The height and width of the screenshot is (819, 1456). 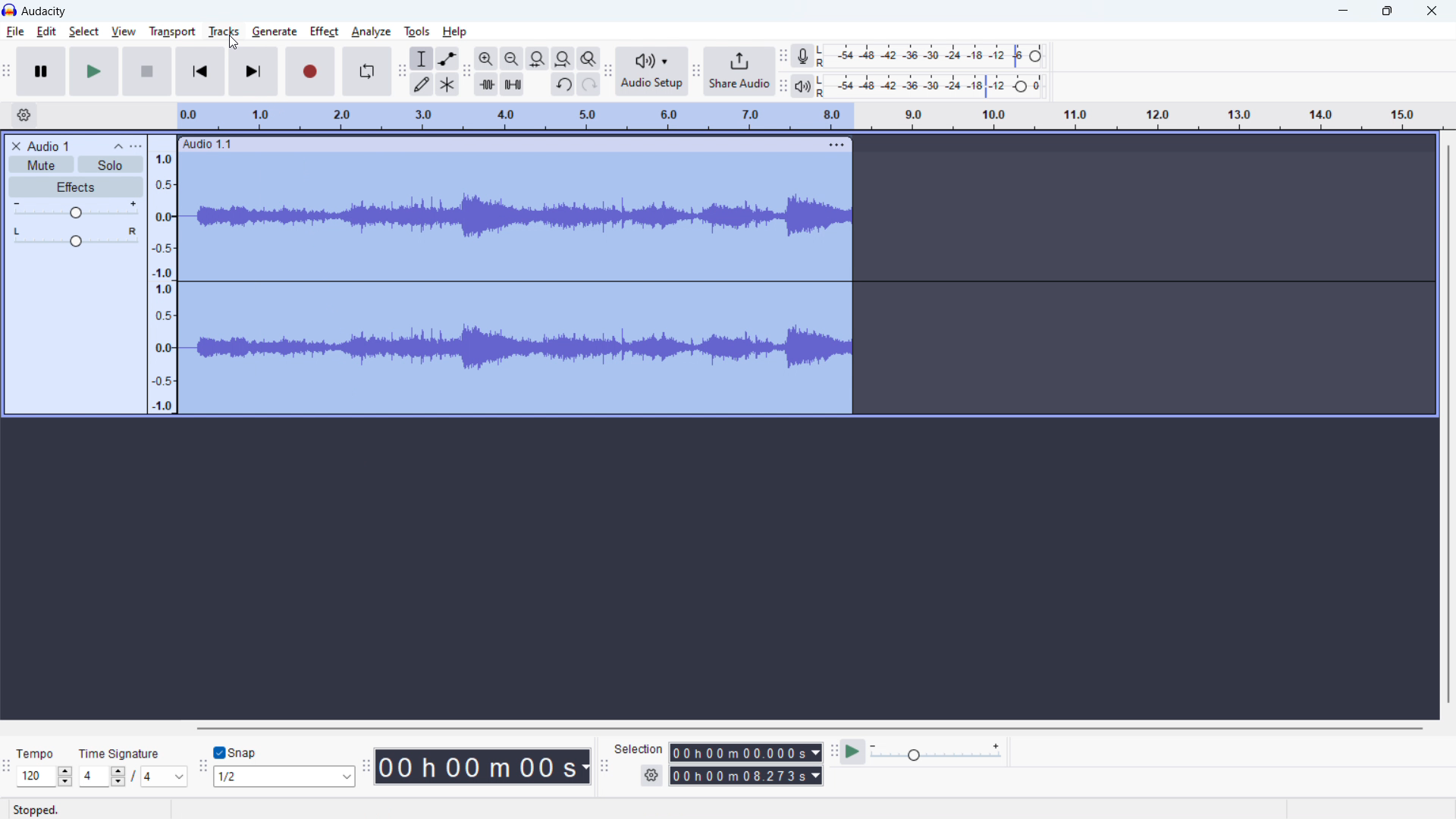 I want to click on view, so click(x=123, y=31).